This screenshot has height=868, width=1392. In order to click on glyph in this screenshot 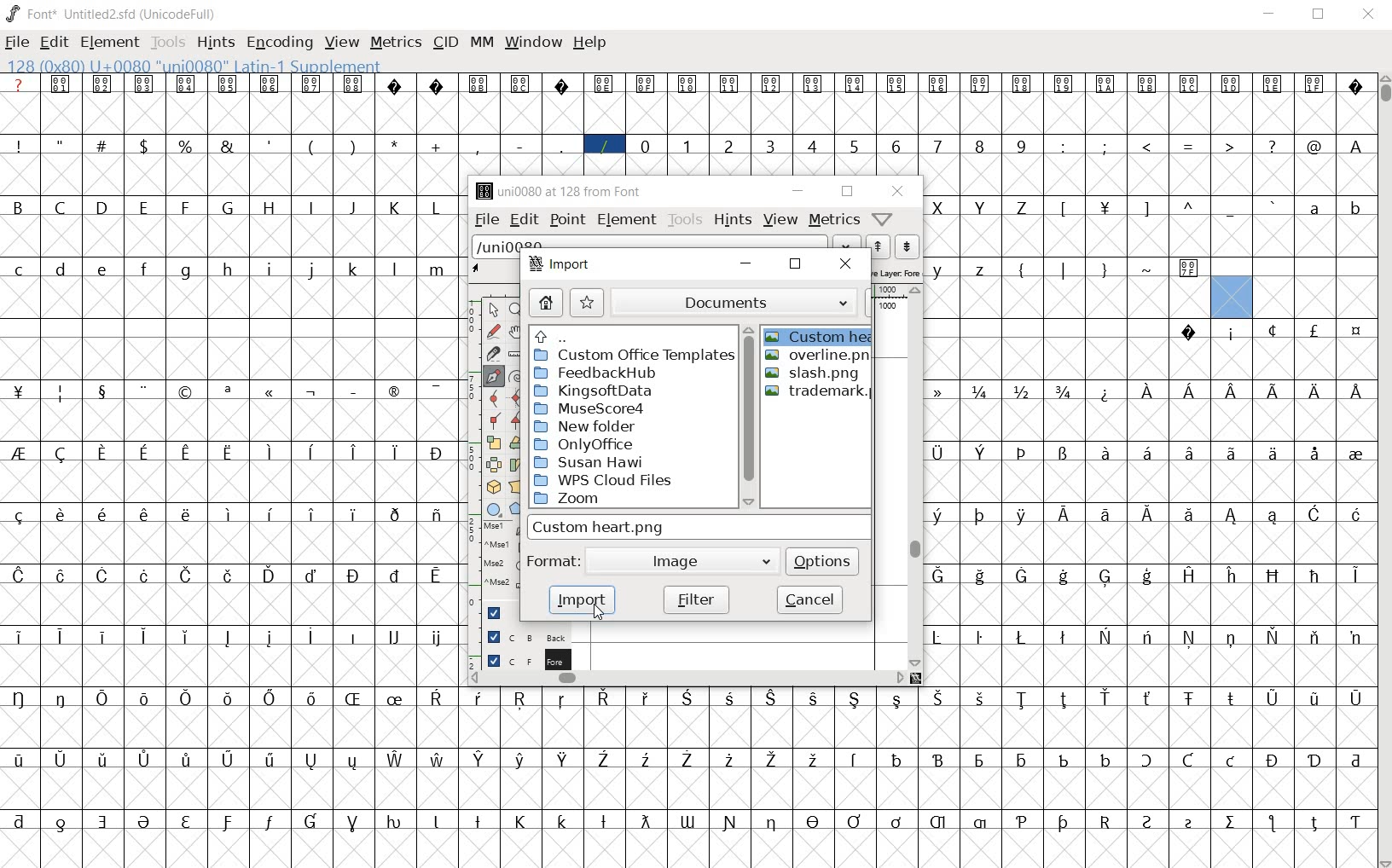, I will do `click(354, 452)`.